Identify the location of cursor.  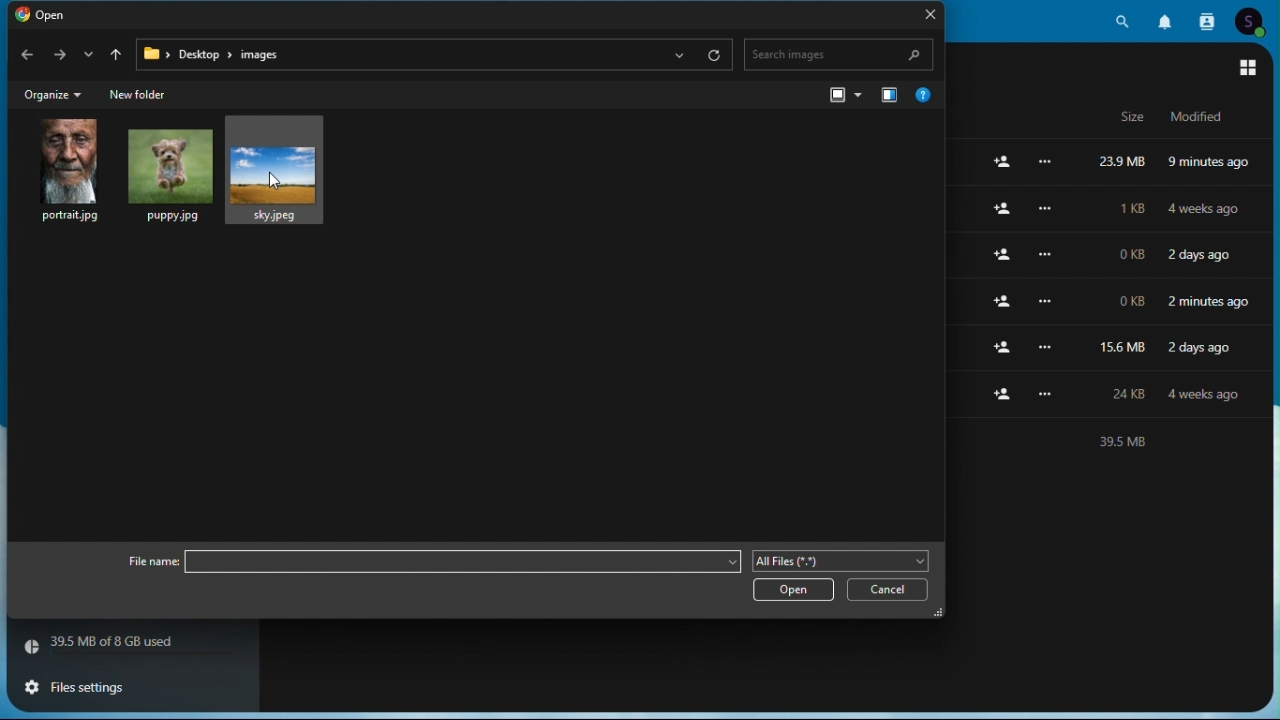
(279, 181).